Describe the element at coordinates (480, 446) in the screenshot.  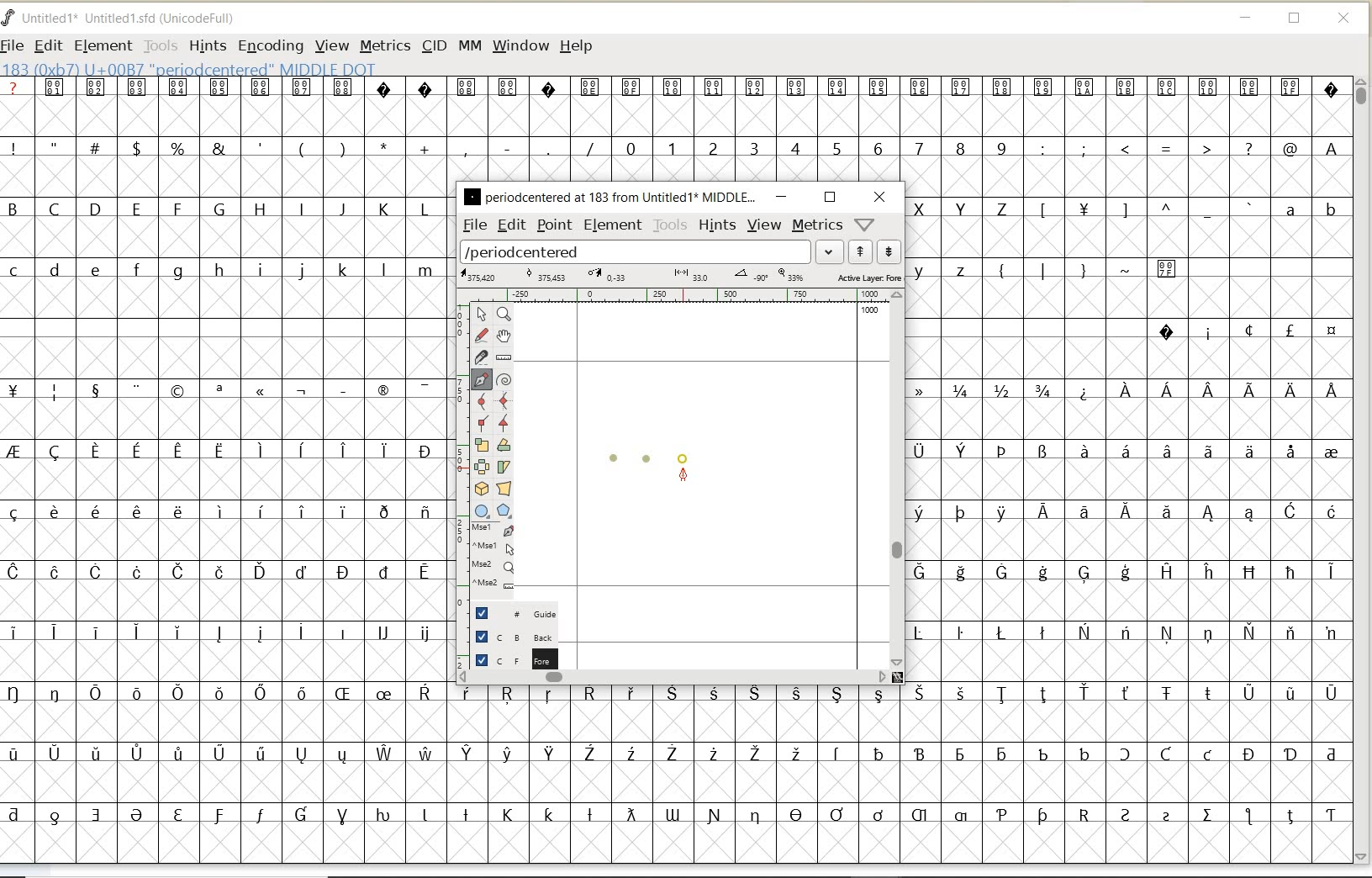
I see `scale the selection` at that location.